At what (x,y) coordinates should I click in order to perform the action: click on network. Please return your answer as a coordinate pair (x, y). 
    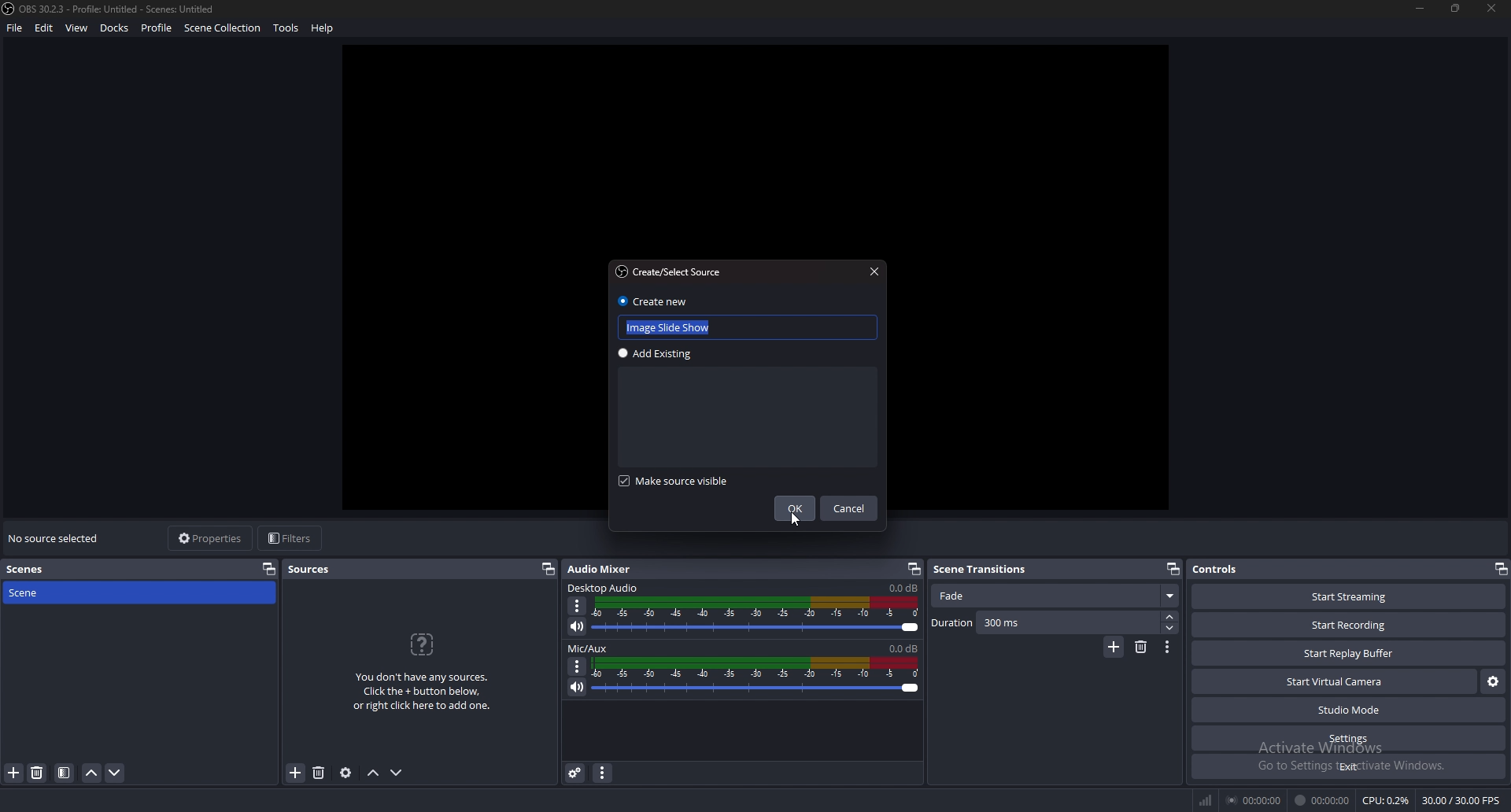
    Looking at the image, I should click on (1204, 800).